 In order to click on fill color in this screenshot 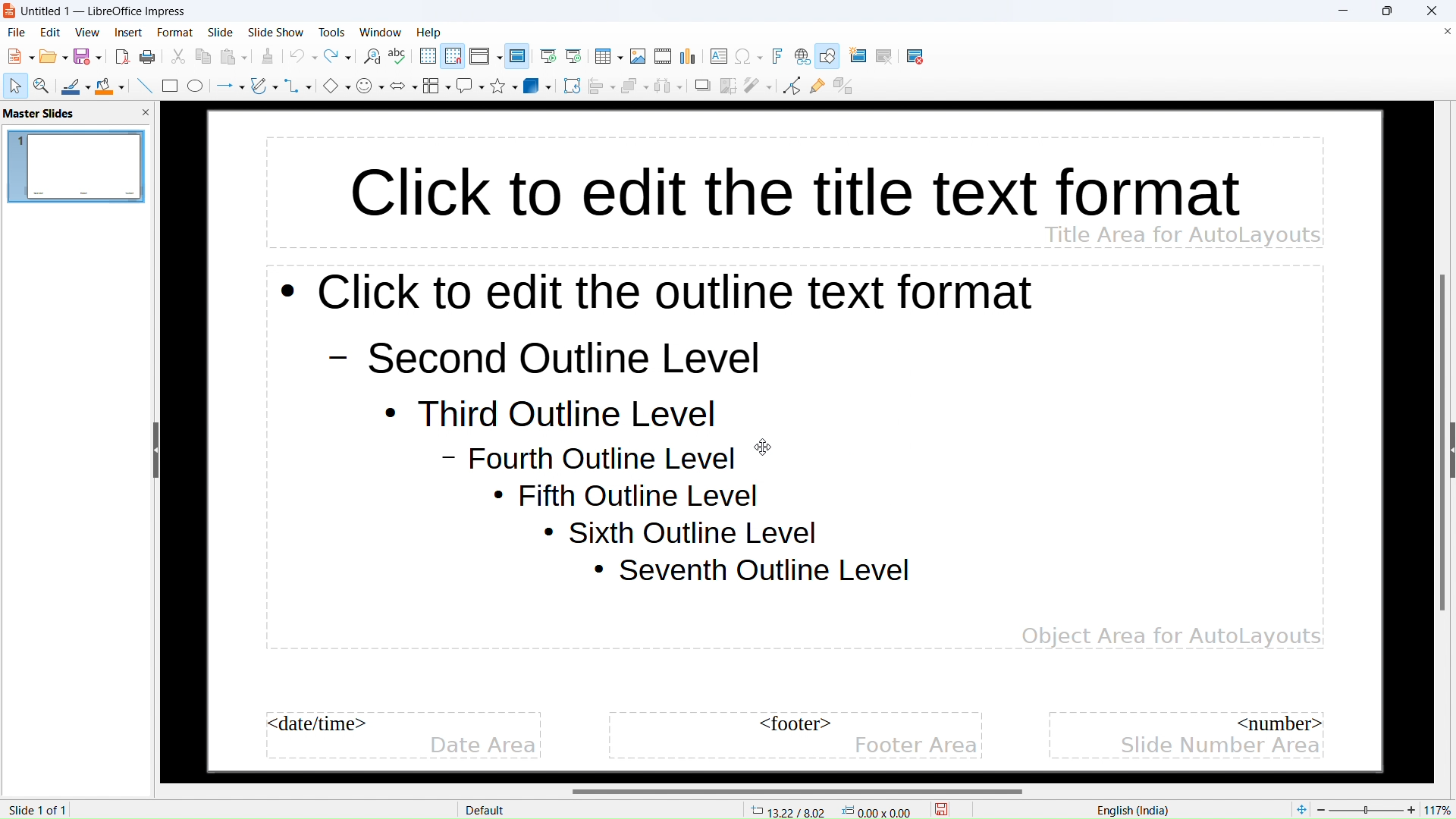, I will do `click(111, 86)`.